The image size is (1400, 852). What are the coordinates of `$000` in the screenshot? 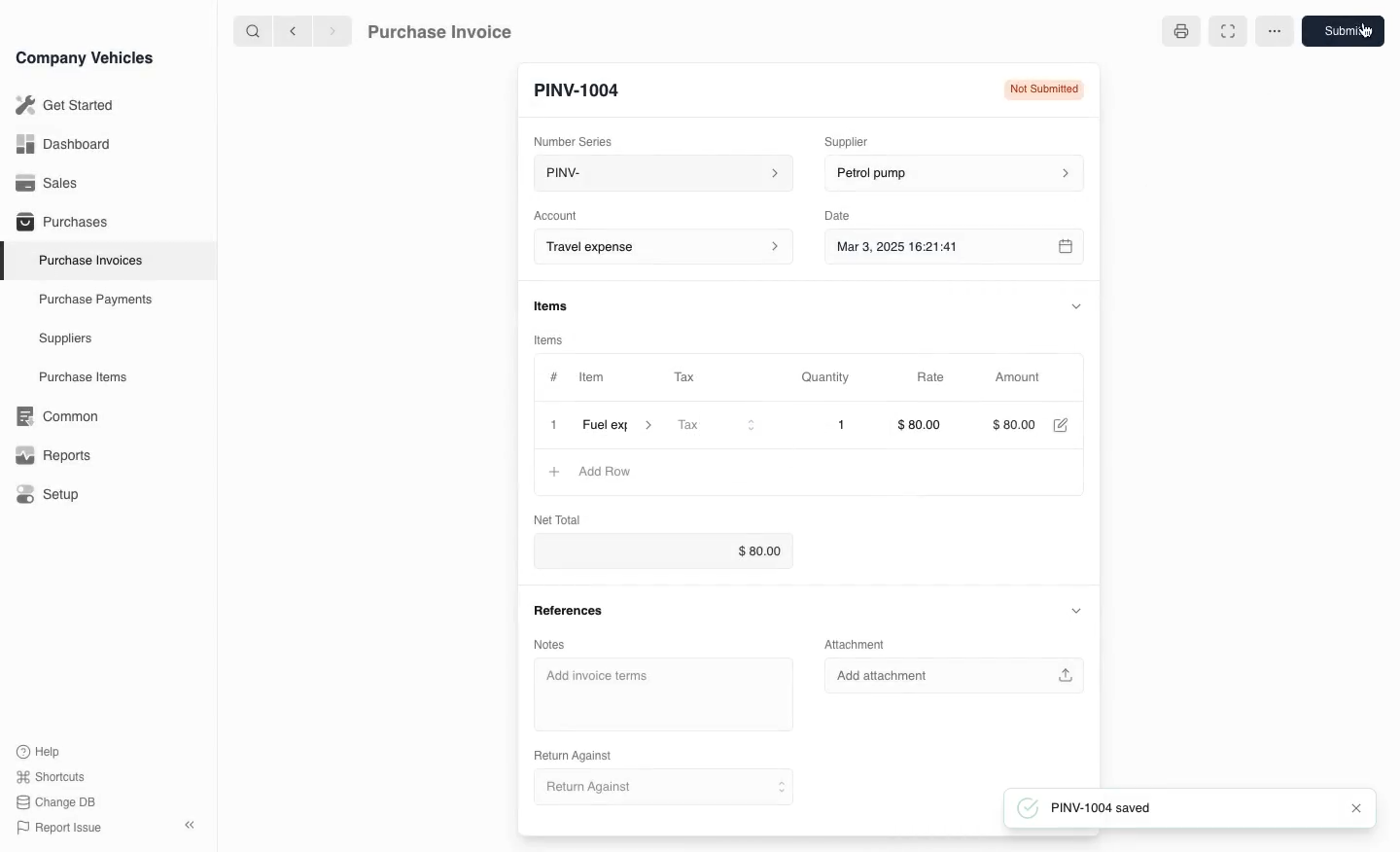 It's located at (1017, 426).